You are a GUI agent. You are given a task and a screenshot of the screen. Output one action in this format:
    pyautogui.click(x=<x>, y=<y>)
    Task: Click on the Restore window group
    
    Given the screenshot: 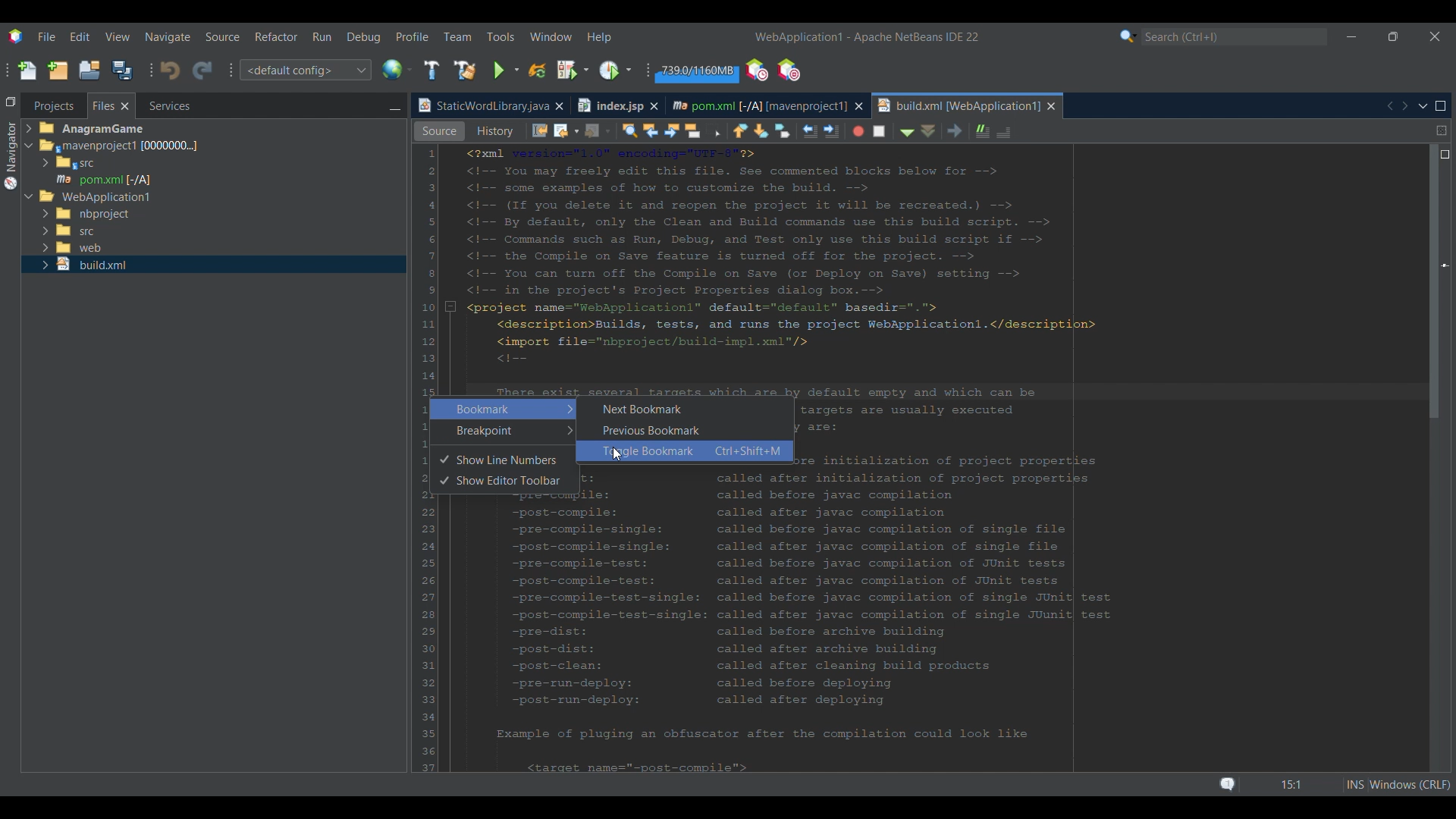 What is the action you would take?
    pyautogui.click(x=11, y=101)
    